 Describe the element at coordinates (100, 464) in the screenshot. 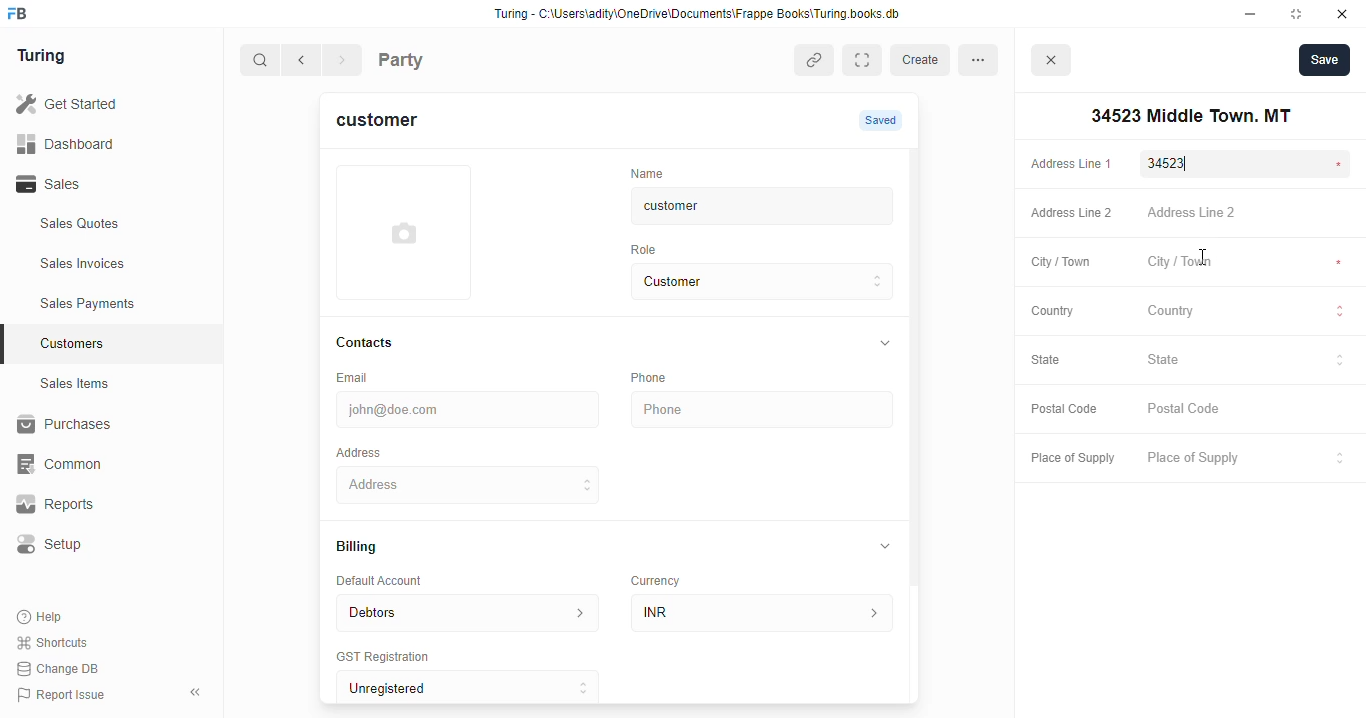

I see `‘Common` at that location.